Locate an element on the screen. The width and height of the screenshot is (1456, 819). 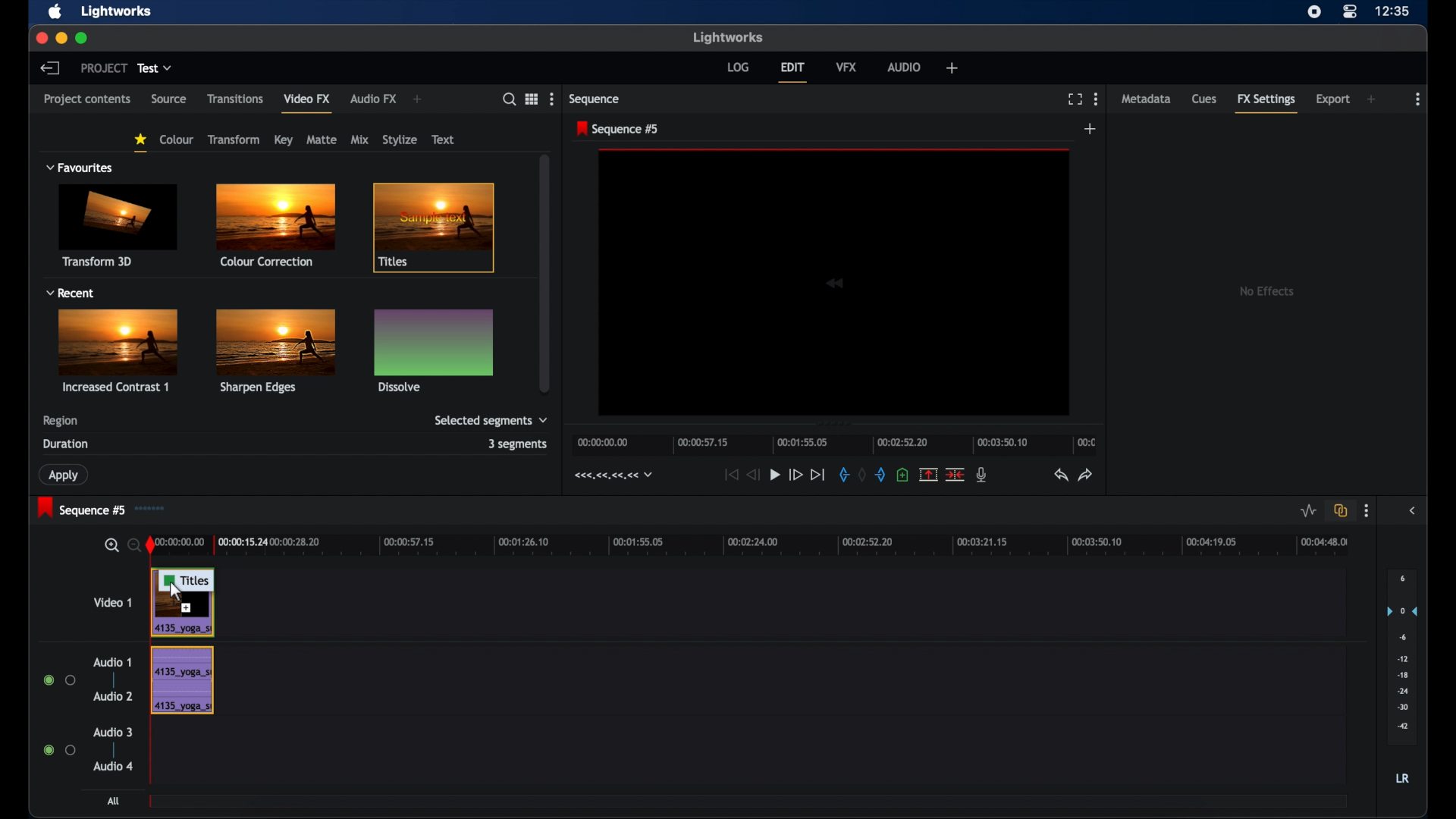
title is located at coordinates (438, 229).